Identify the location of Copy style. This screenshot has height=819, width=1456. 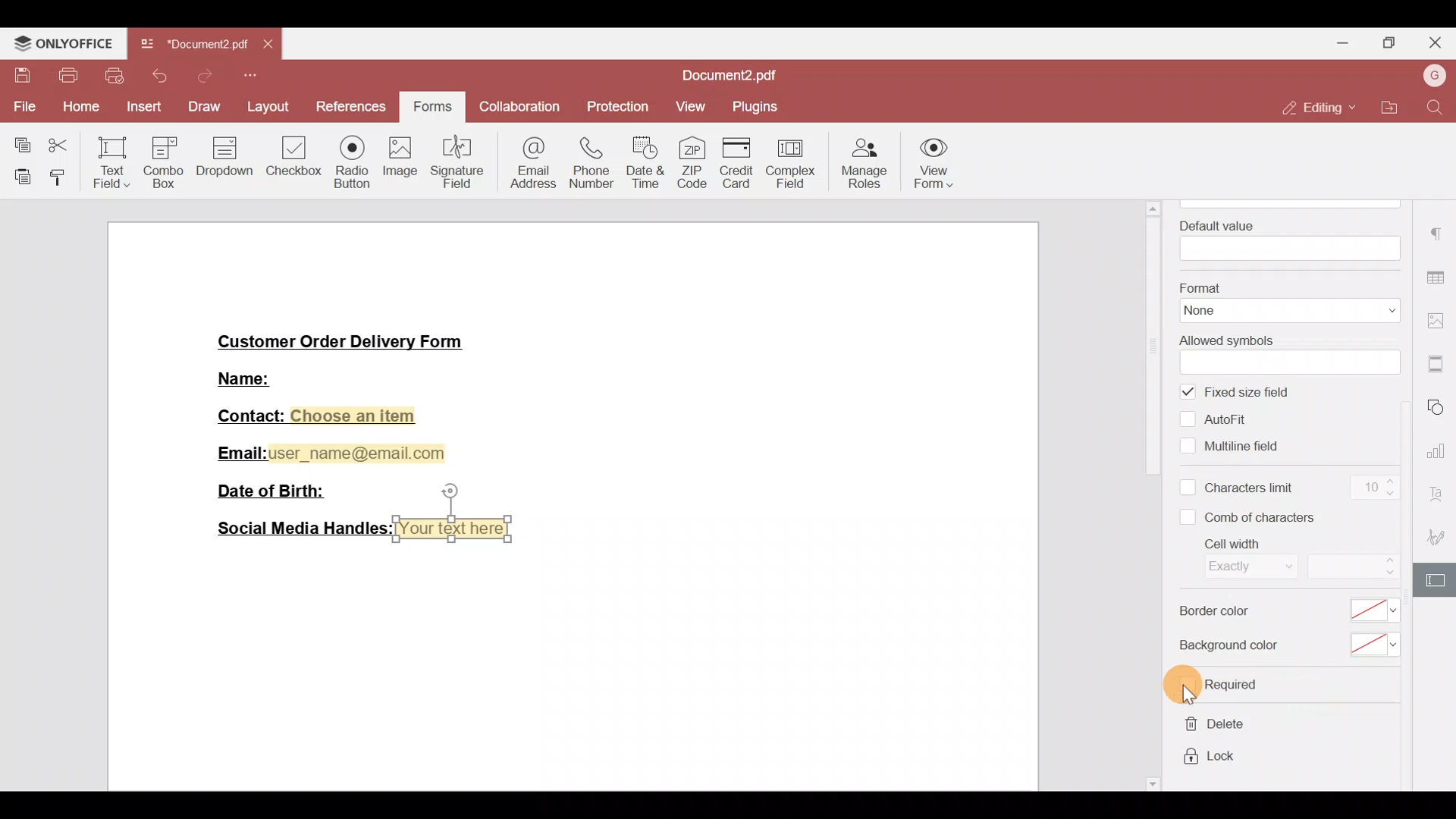
(58, 178).